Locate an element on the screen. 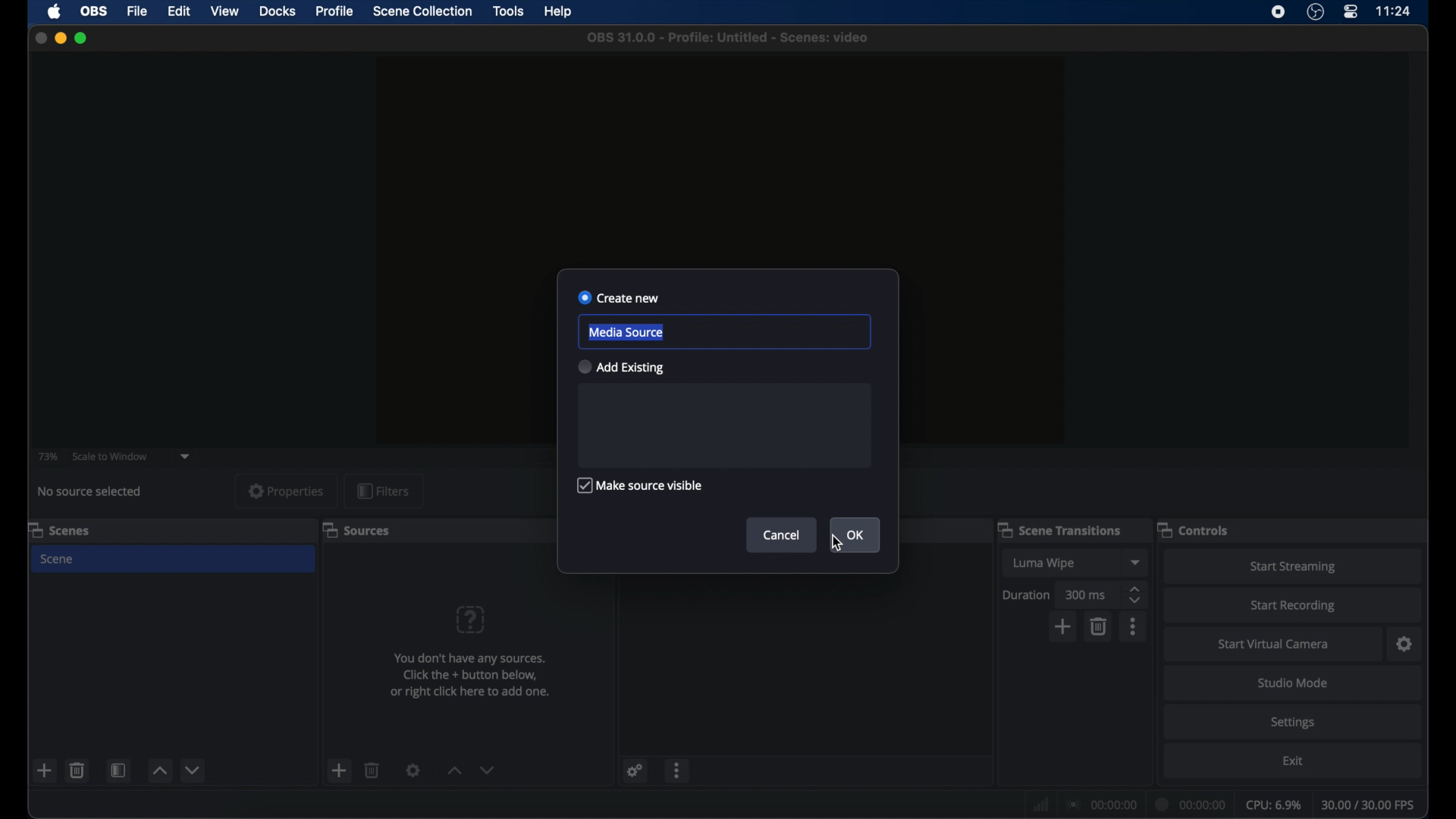 The image size is (1456, 819). no source selected is located at coordinates (89, 491).